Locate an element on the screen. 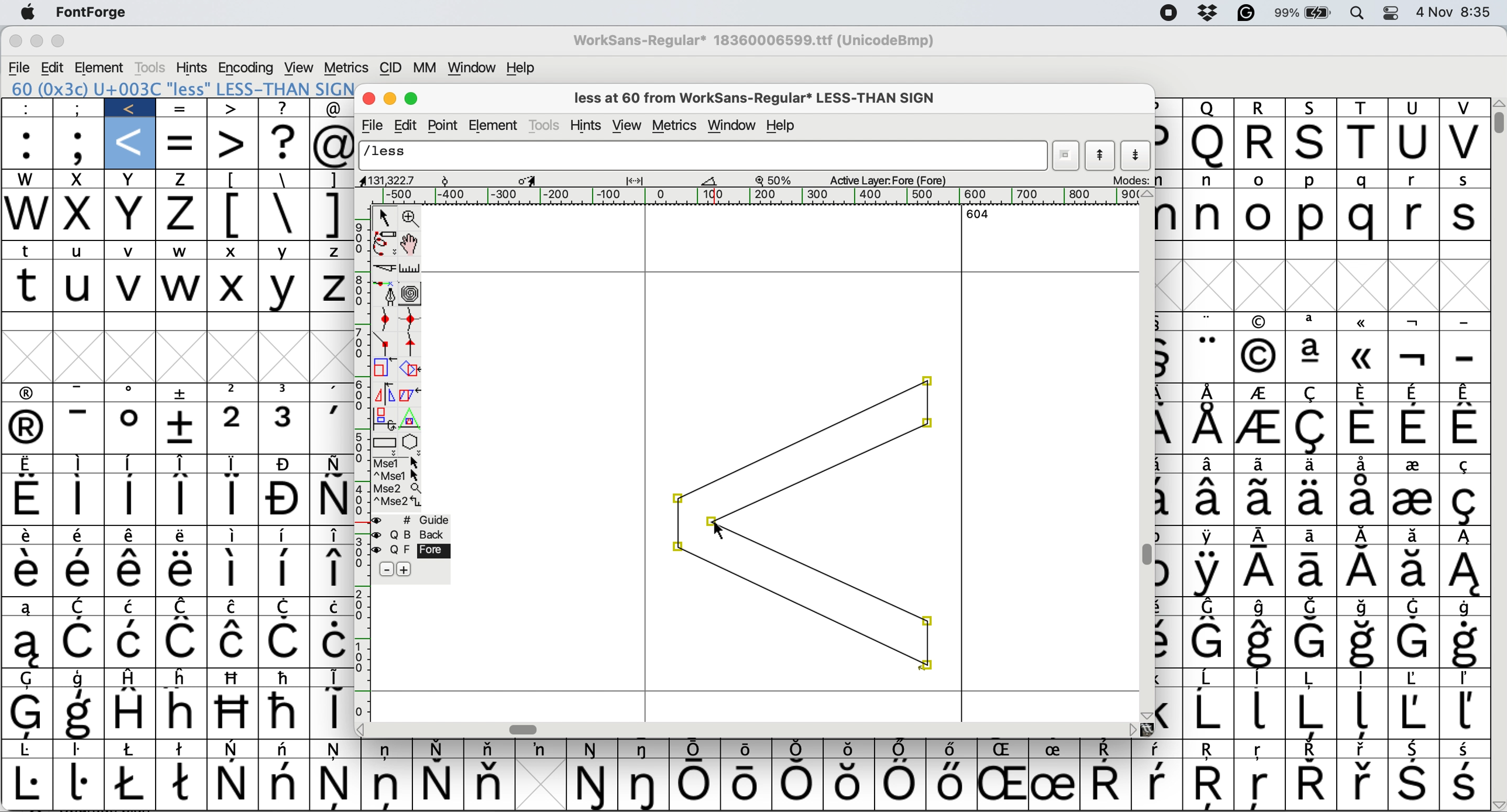  Symbol is located at coordinates (1414, 394).